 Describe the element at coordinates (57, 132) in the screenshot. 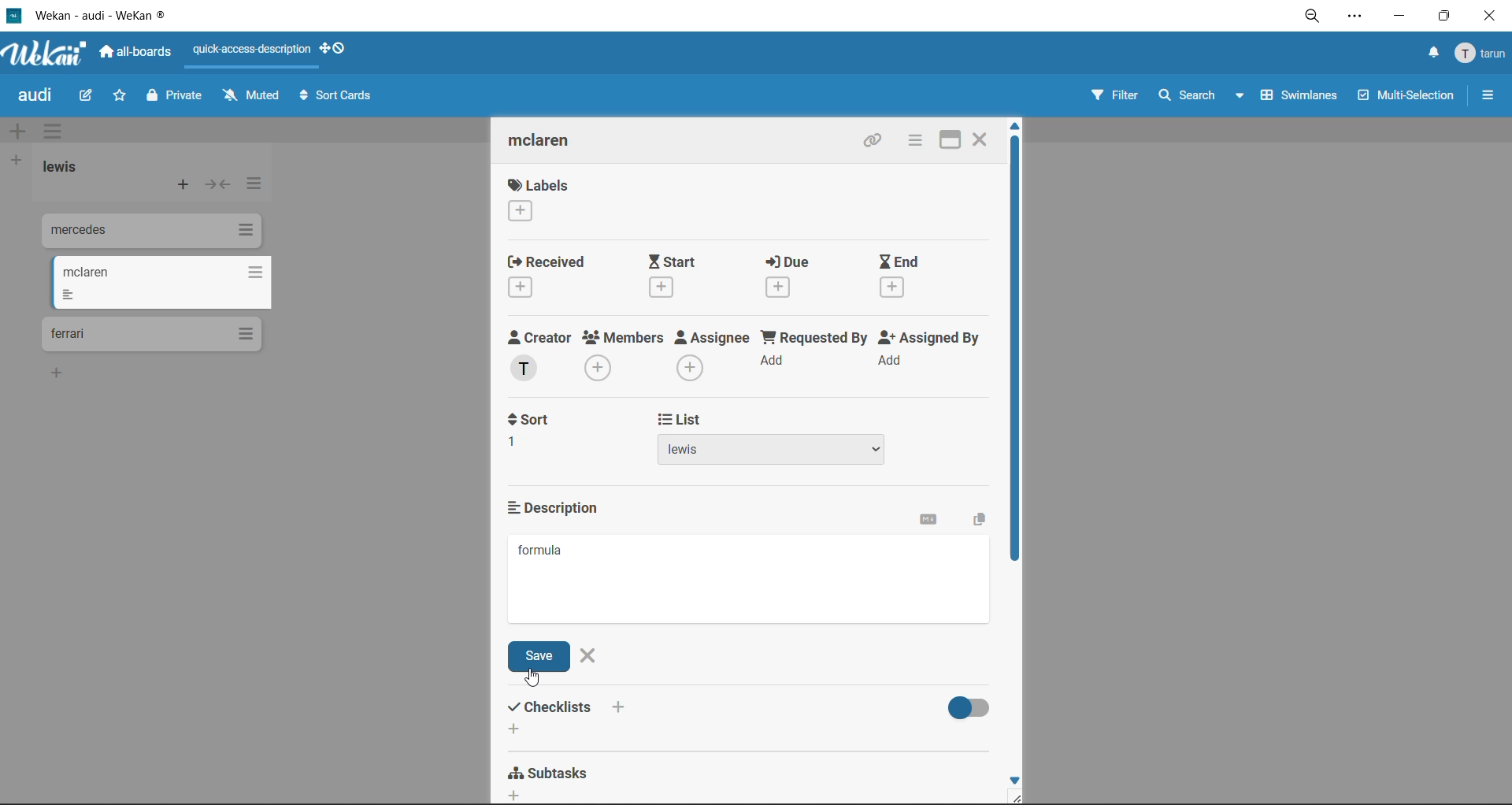

I see `swimlane actions` at that location.